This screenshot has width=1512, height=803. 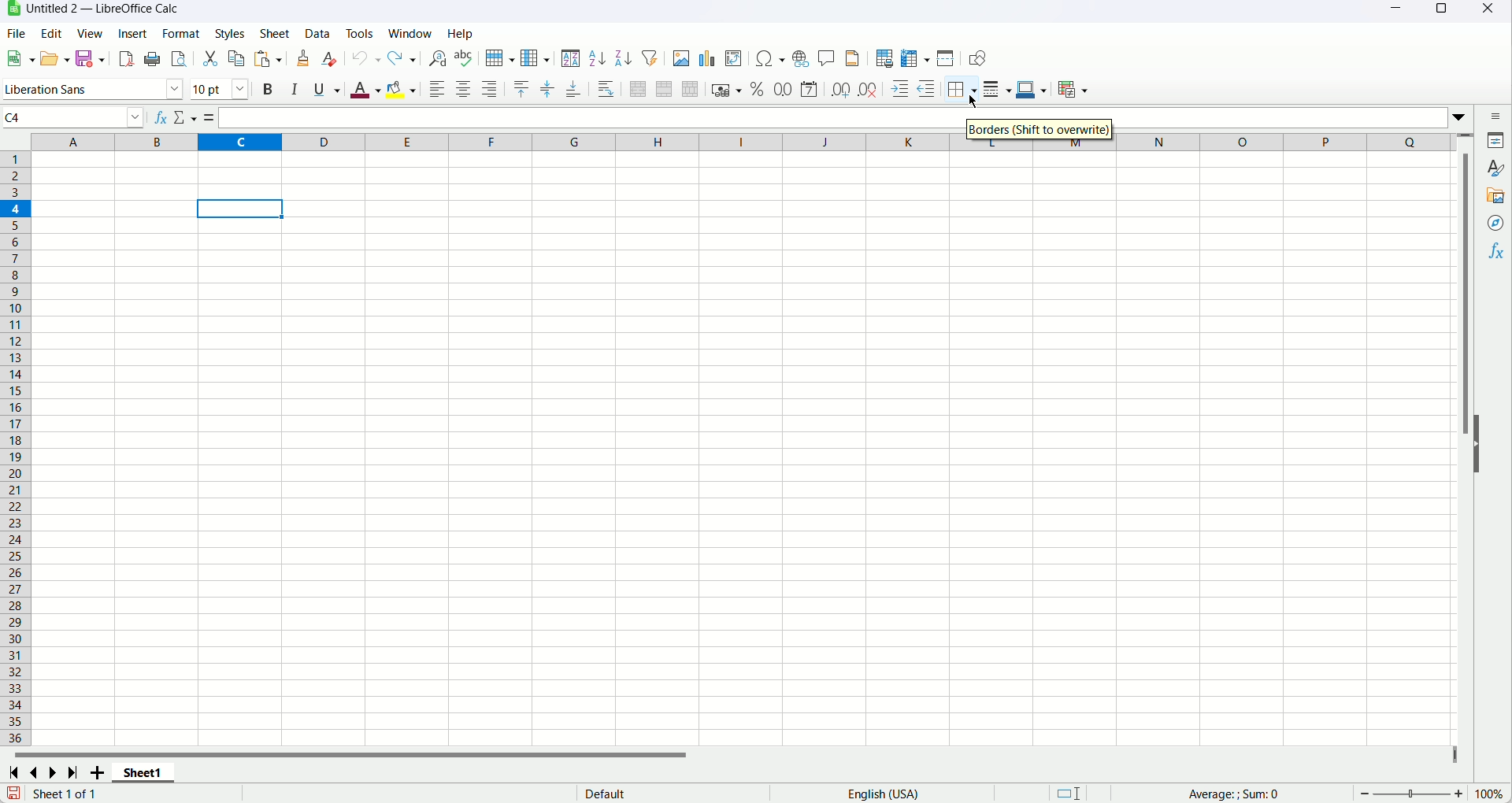 I want to click on Gallery, so click(x=1496, y=194).